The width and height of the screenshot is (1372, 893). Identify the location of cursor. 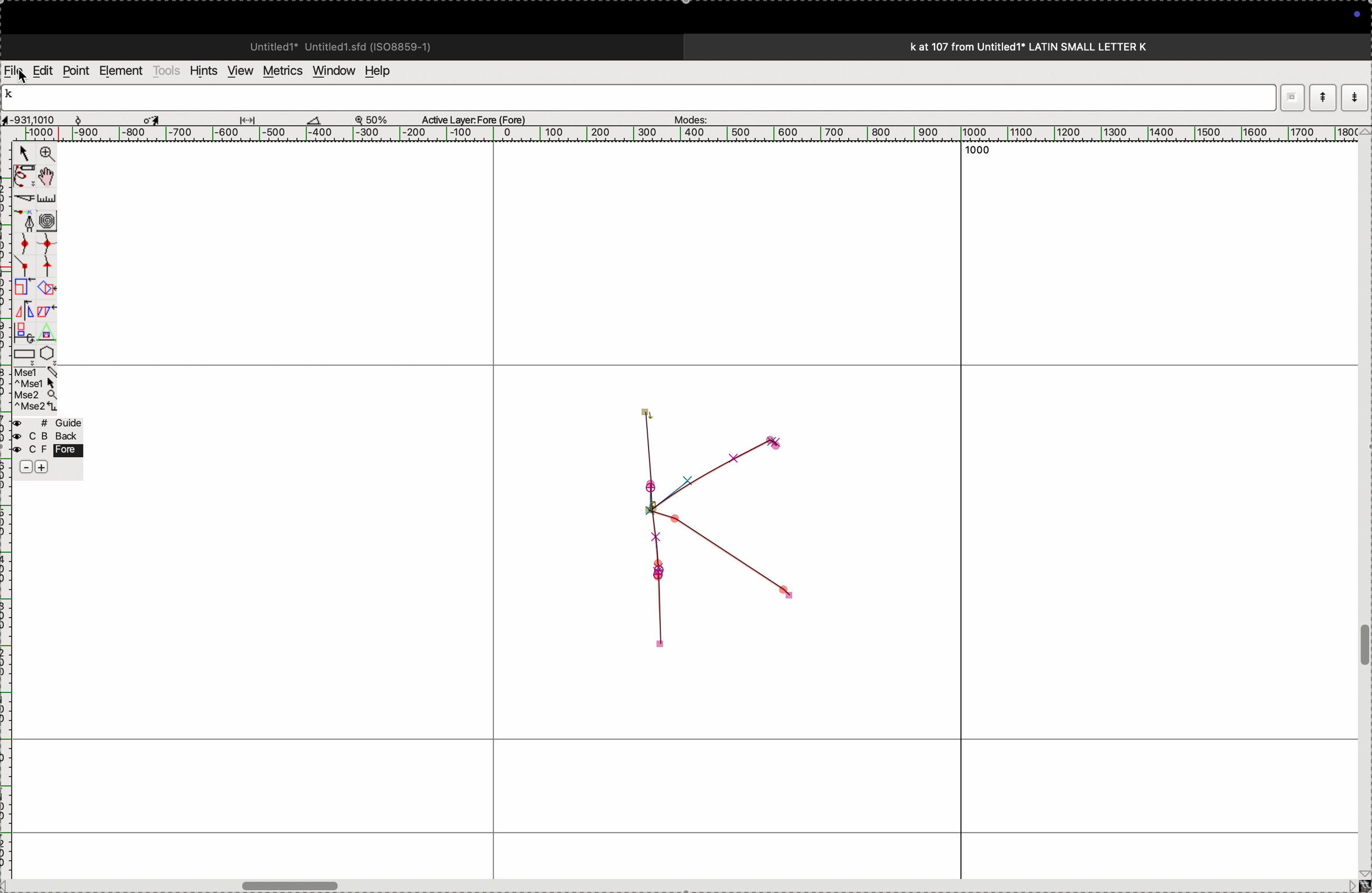
(154, 118).